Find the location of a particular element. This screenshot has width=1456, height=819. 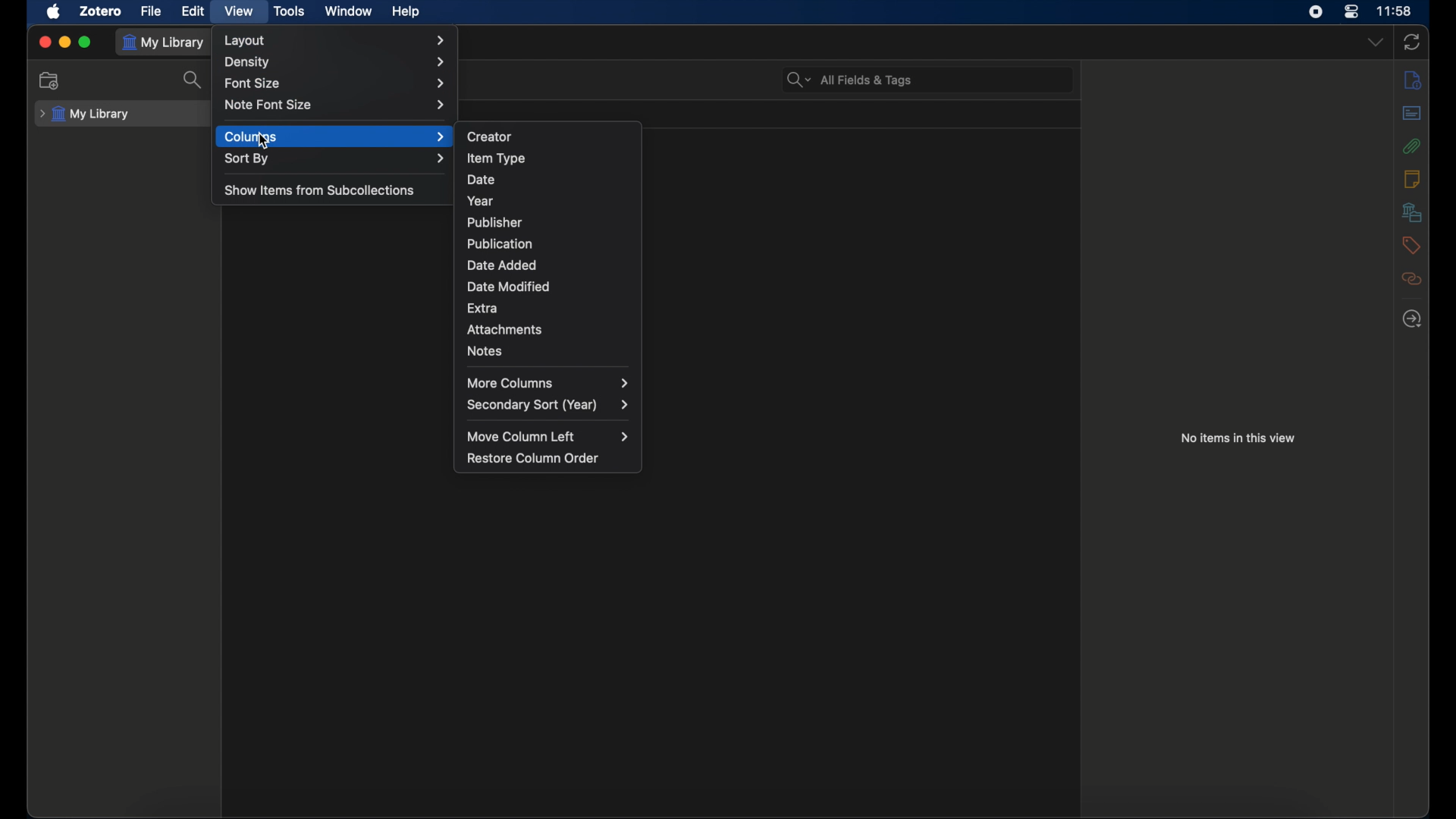

notes is located at coordinates (1411, 177).